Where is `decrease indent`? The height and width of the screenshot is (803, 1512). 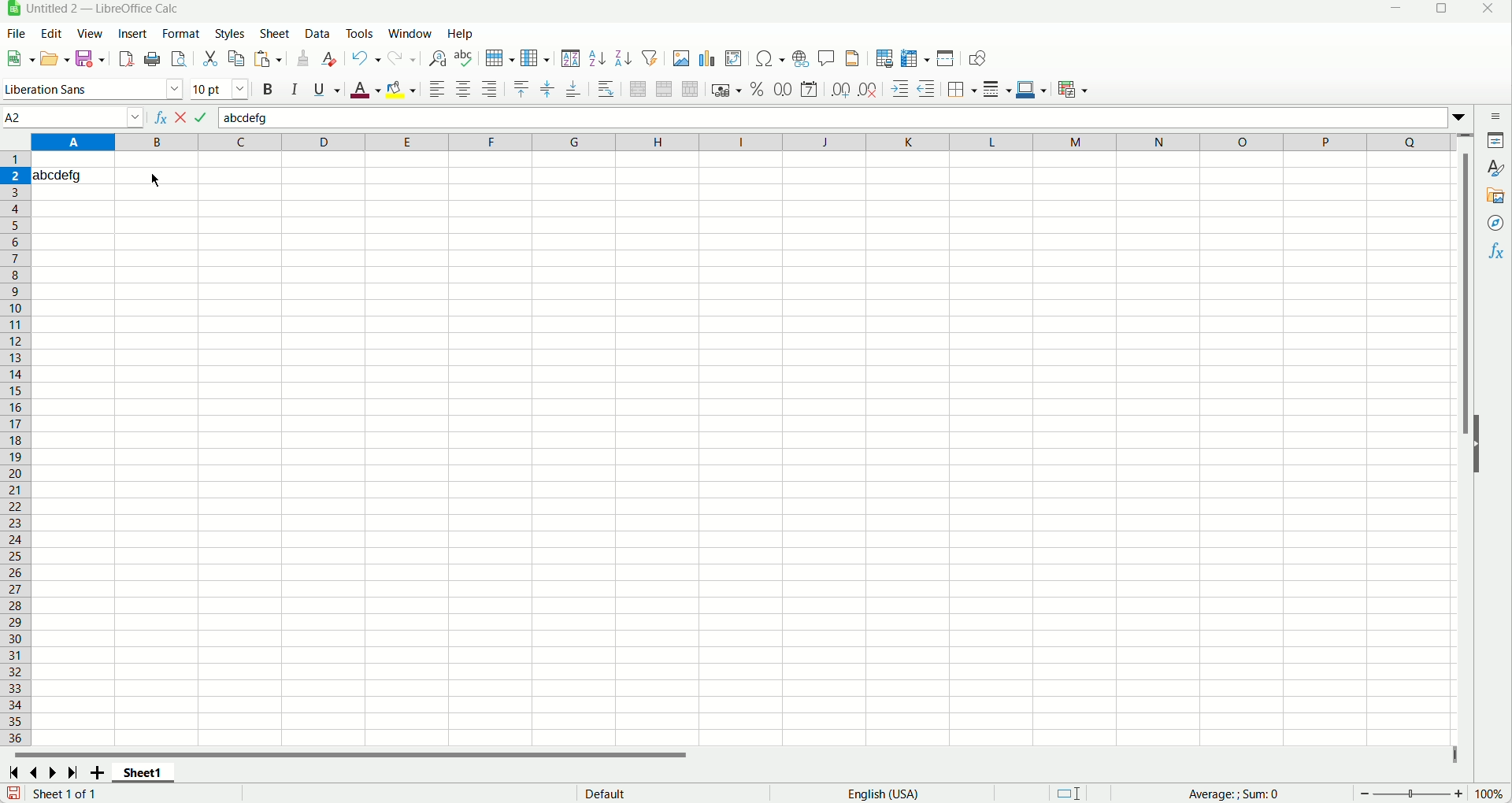 decrease indent is located at coordinates (901, 89).